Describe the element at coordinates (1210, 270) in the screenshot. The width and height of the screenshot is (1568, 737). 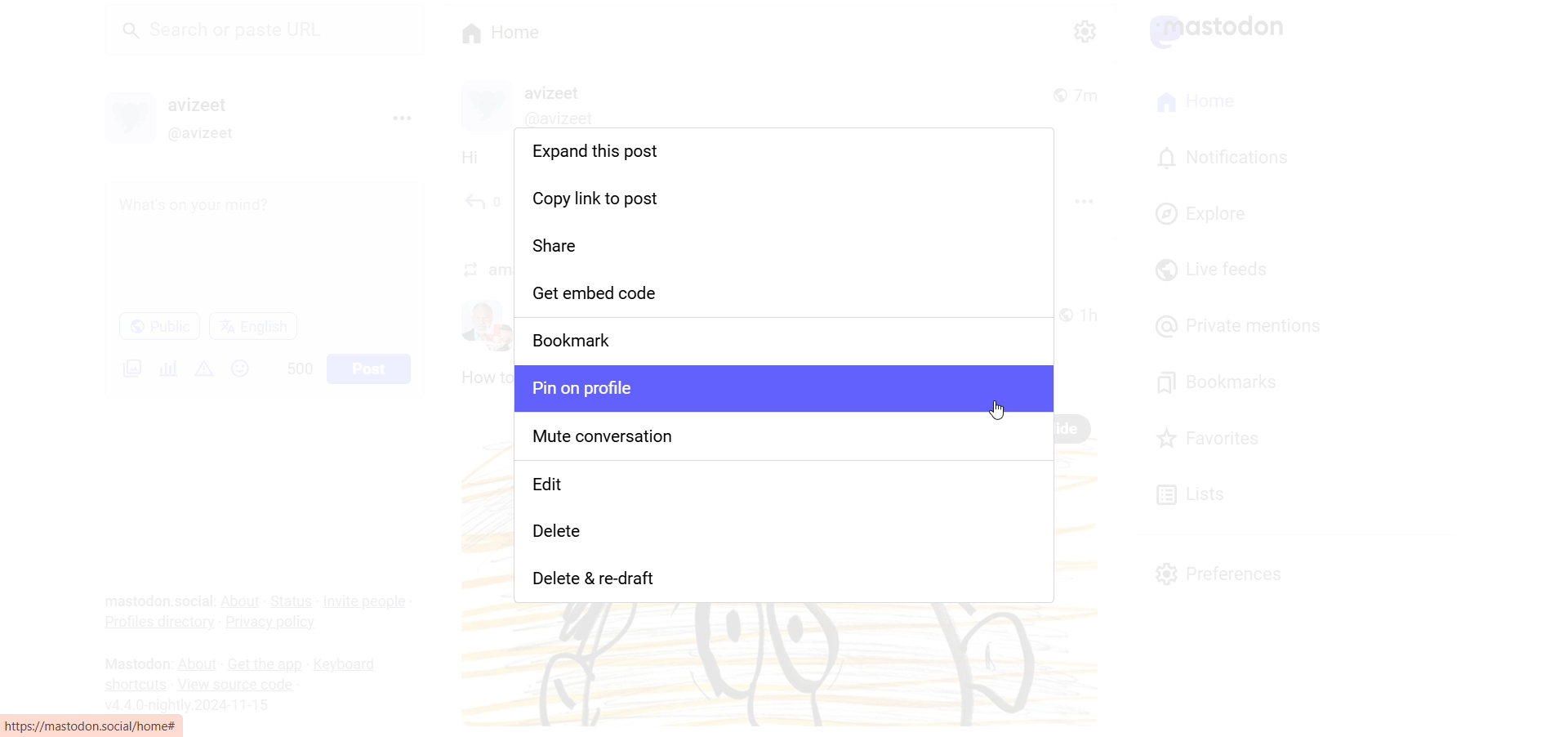
I see `Live Feeds` at that location.